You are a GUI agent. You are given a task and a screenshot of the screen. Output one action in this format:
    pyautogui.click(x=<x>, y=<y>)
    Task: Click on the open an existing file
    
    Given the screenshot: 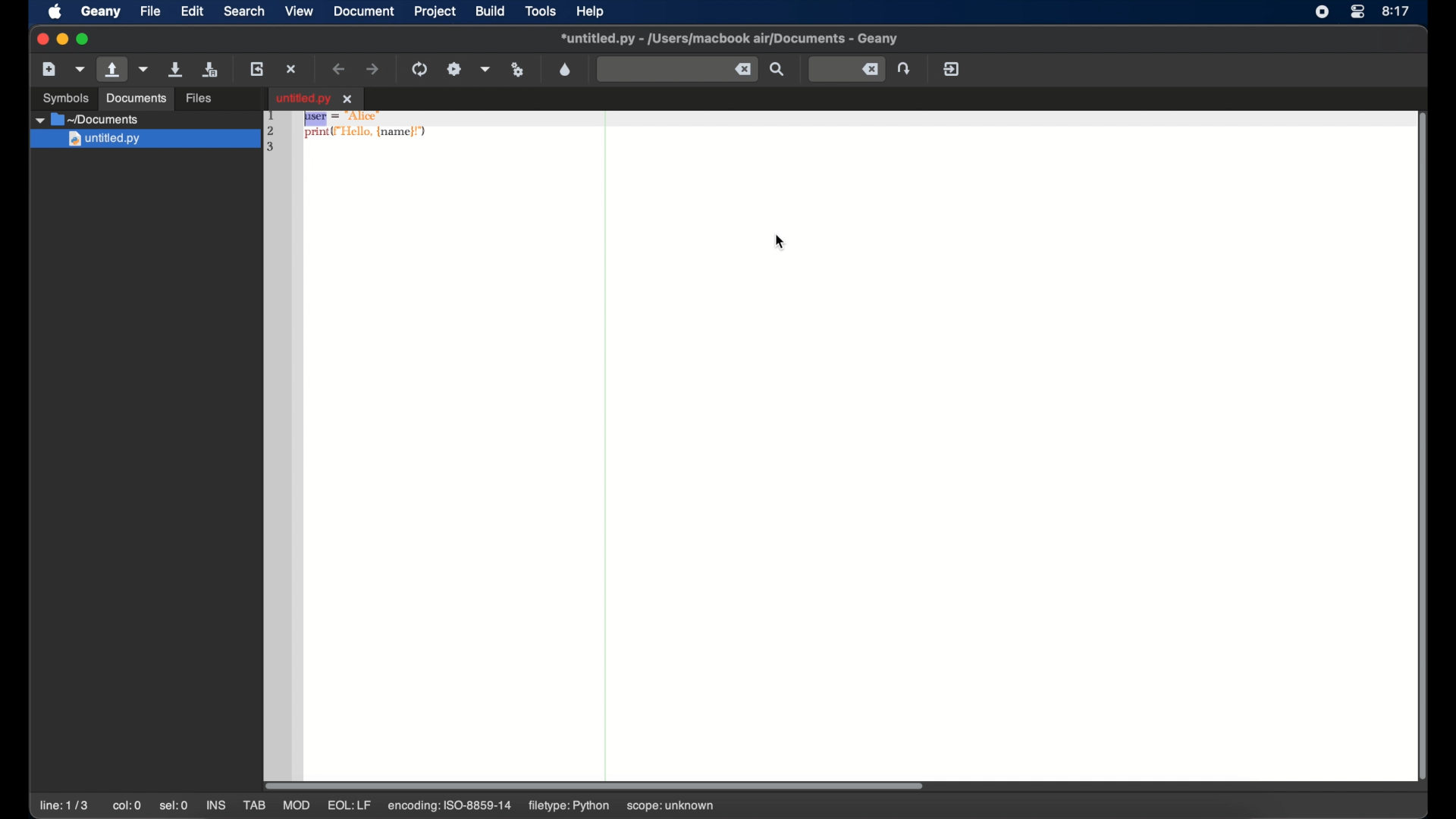 What is the action you would take?
    pyautogui.click(x=112, y=70)
    